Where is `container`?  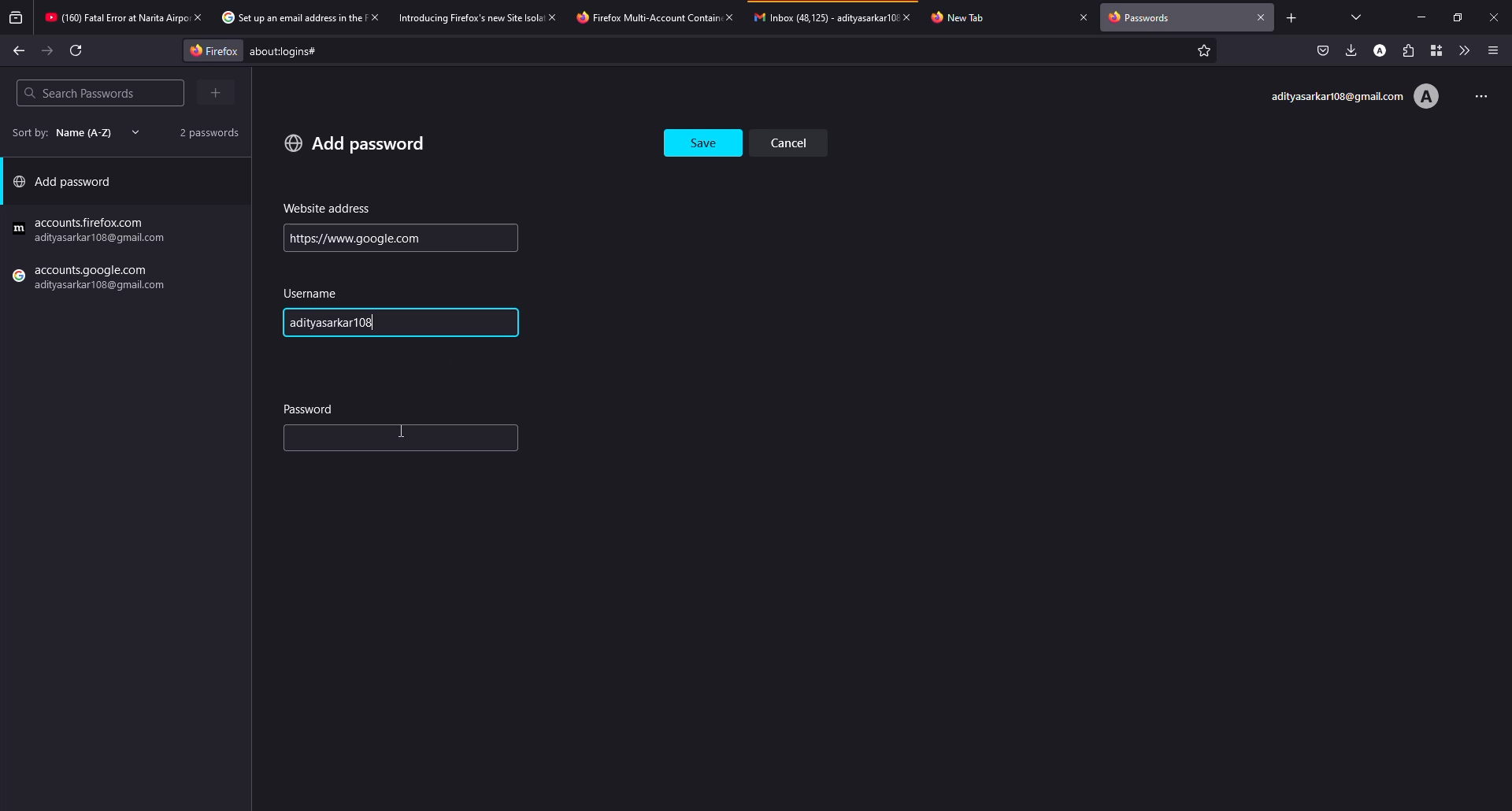
container is located at coordinates (1432, 50).